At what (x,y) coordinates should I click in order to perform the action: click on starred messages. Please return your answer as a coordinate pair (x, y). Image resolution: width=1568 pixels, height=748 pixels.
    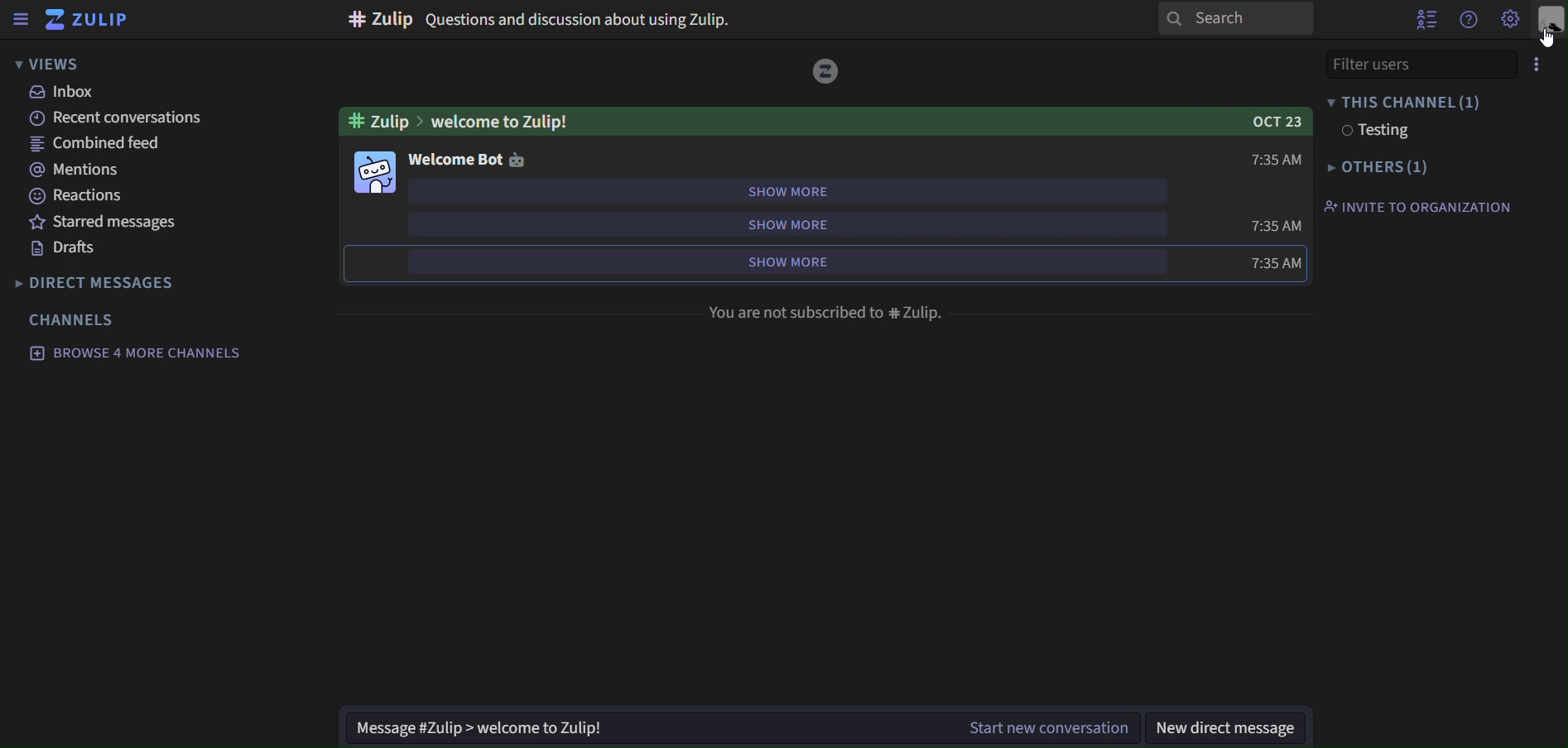
    Looking at the image, I should click on (106, 223).